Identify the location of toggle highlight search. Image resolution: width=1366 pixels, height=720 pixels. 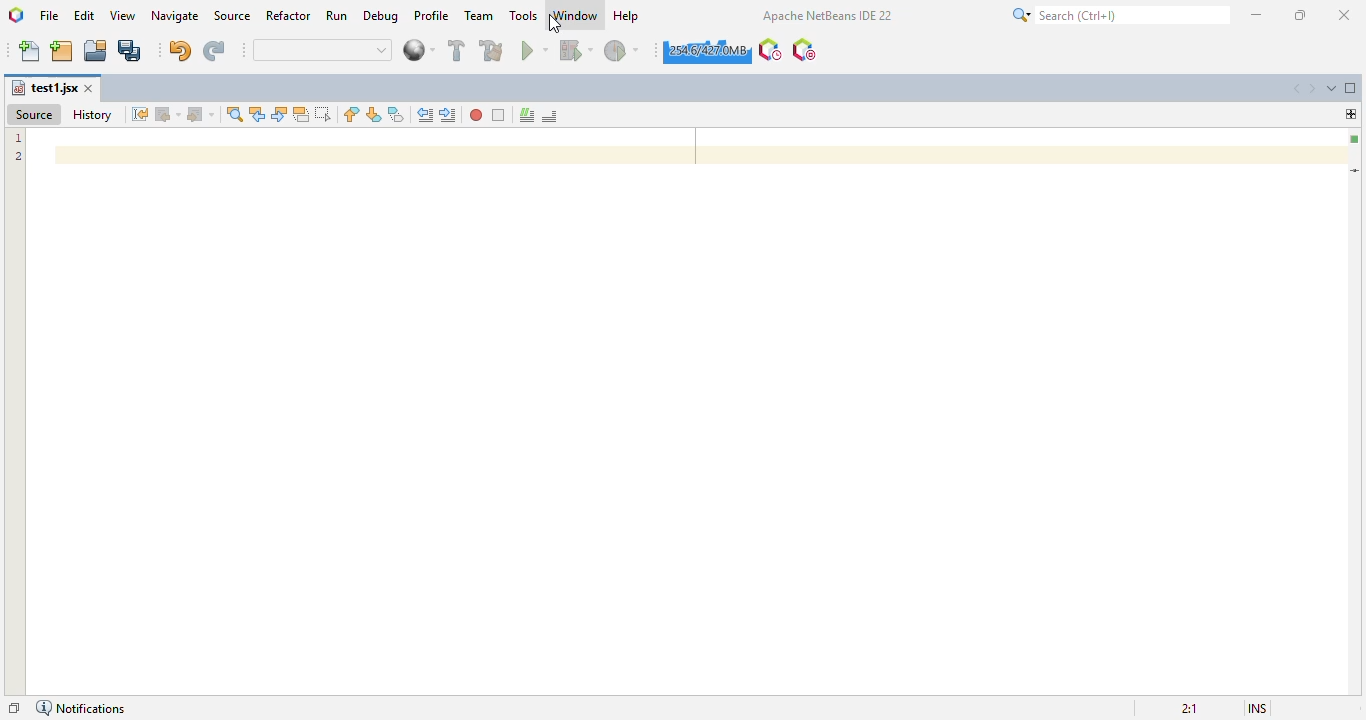
(301, 115).